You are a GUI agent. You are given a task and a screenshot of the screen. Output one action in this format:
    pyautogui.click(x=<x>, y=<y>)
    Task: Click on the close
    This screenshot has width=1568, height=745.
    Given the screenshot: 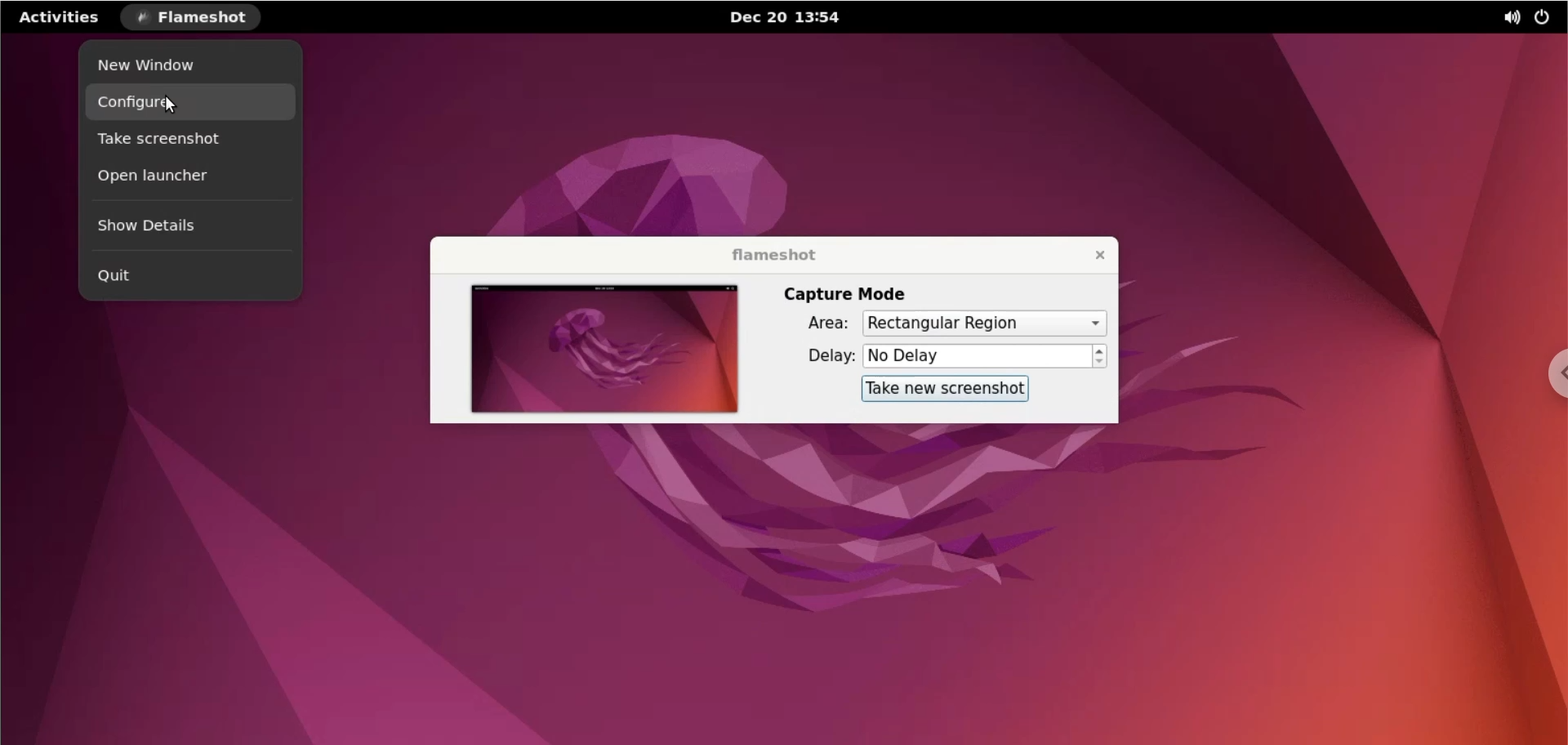 What is the action you would take?
    pyautogui.click(x=1097, y=256)
    